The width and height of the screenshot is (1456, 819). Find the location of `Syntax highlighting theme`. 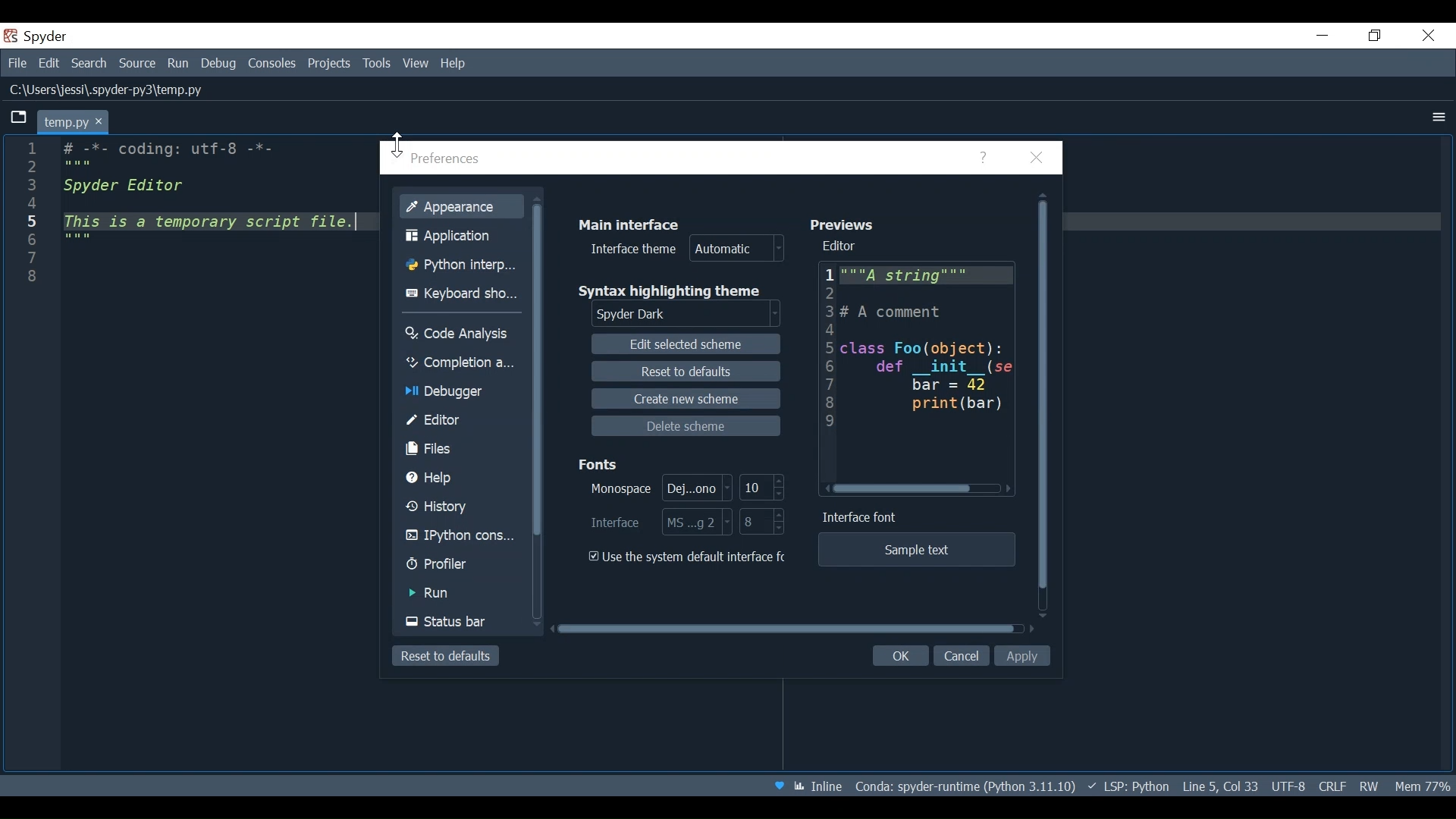

Syntax highlighting theme is located at coordinates (673, 290).